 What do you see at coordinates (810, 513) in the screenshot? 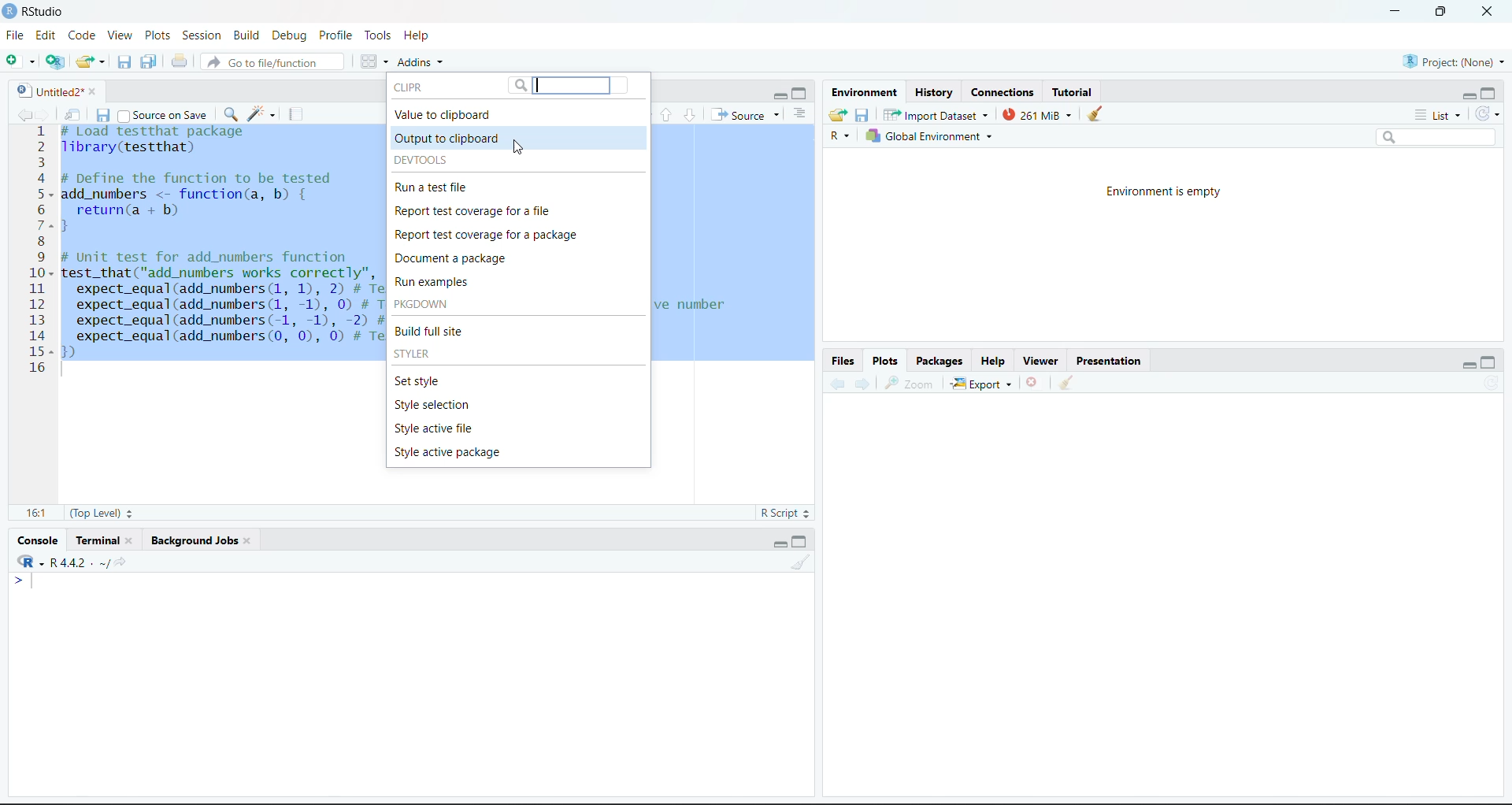
I see `Stepper buttons` at bounding box center [810, 513].